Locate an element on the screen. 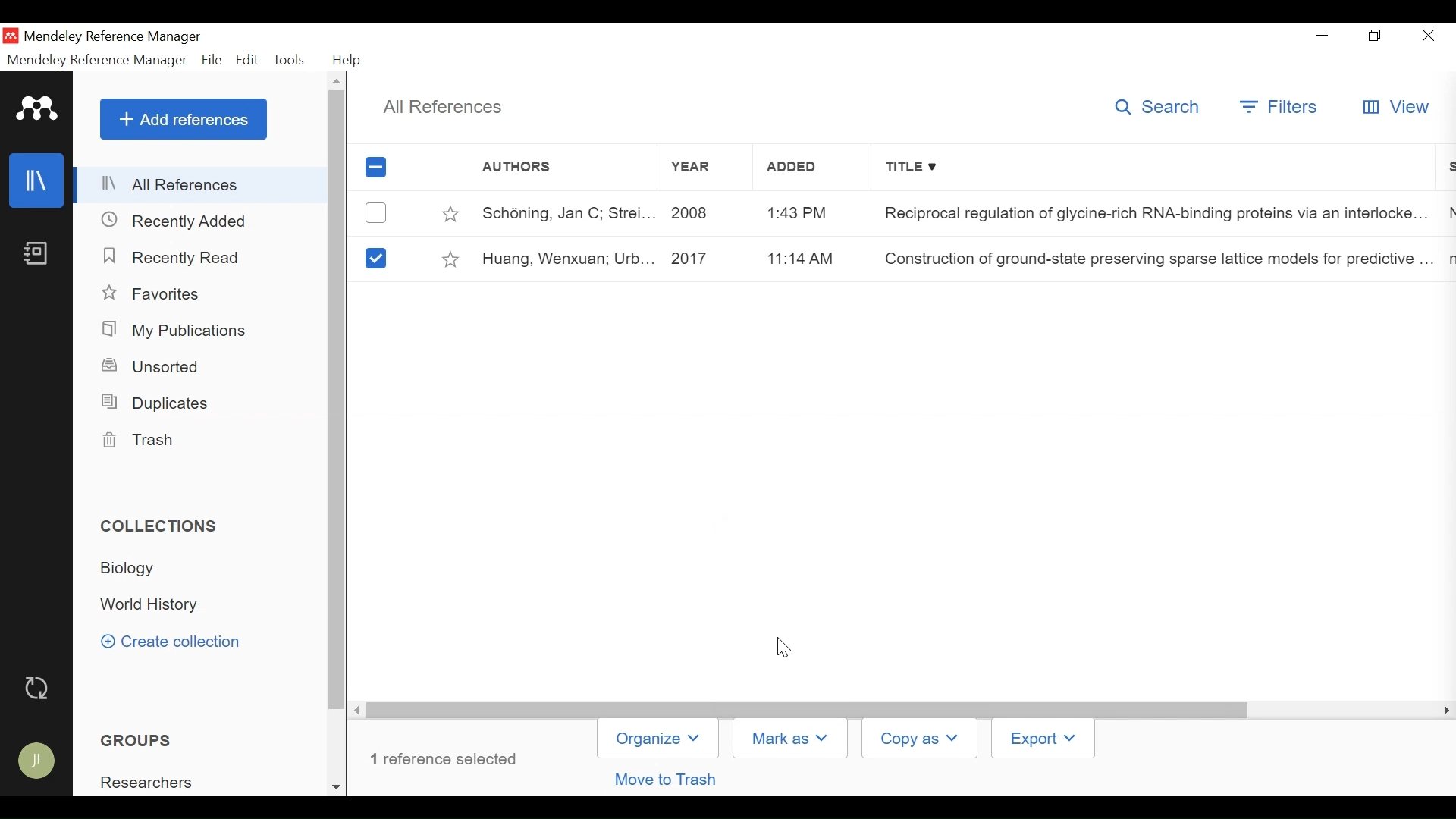 Image resolution: width=1456 pixels, height=819 pixels. Collection is located at coordinates (133, 570).